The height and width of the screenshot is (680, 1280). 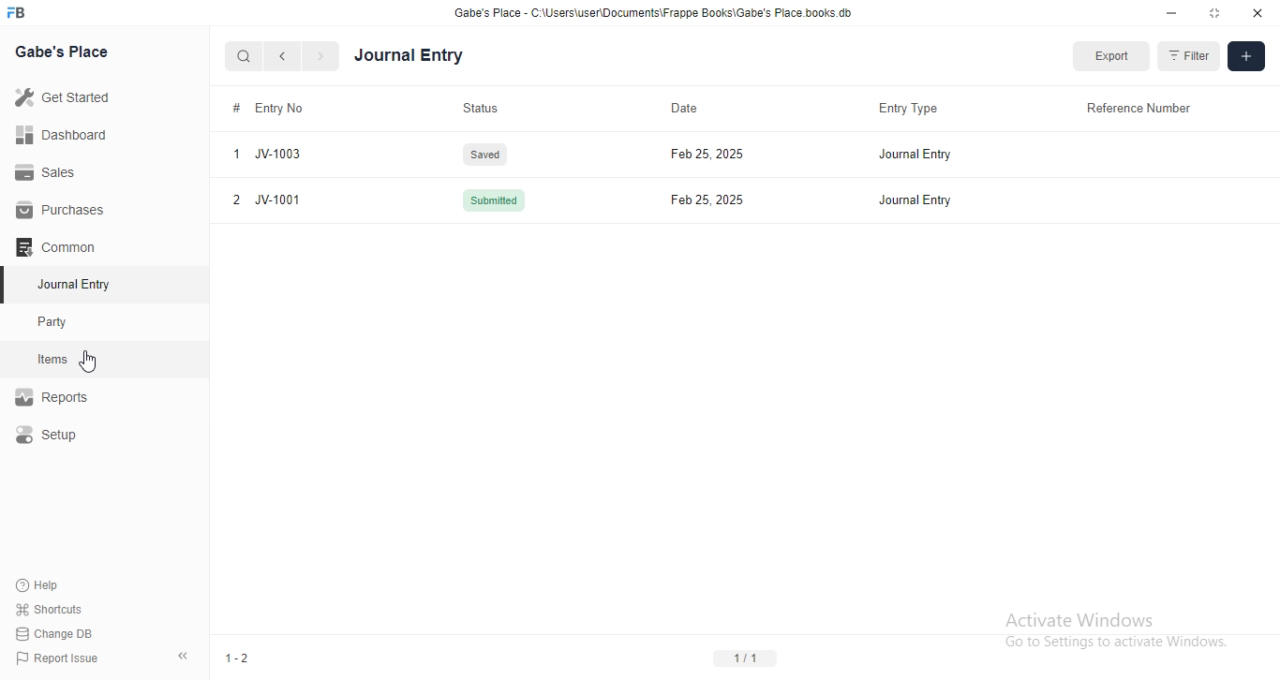 I want to click on ‘Shortcuts, so click(x=58, y=608).